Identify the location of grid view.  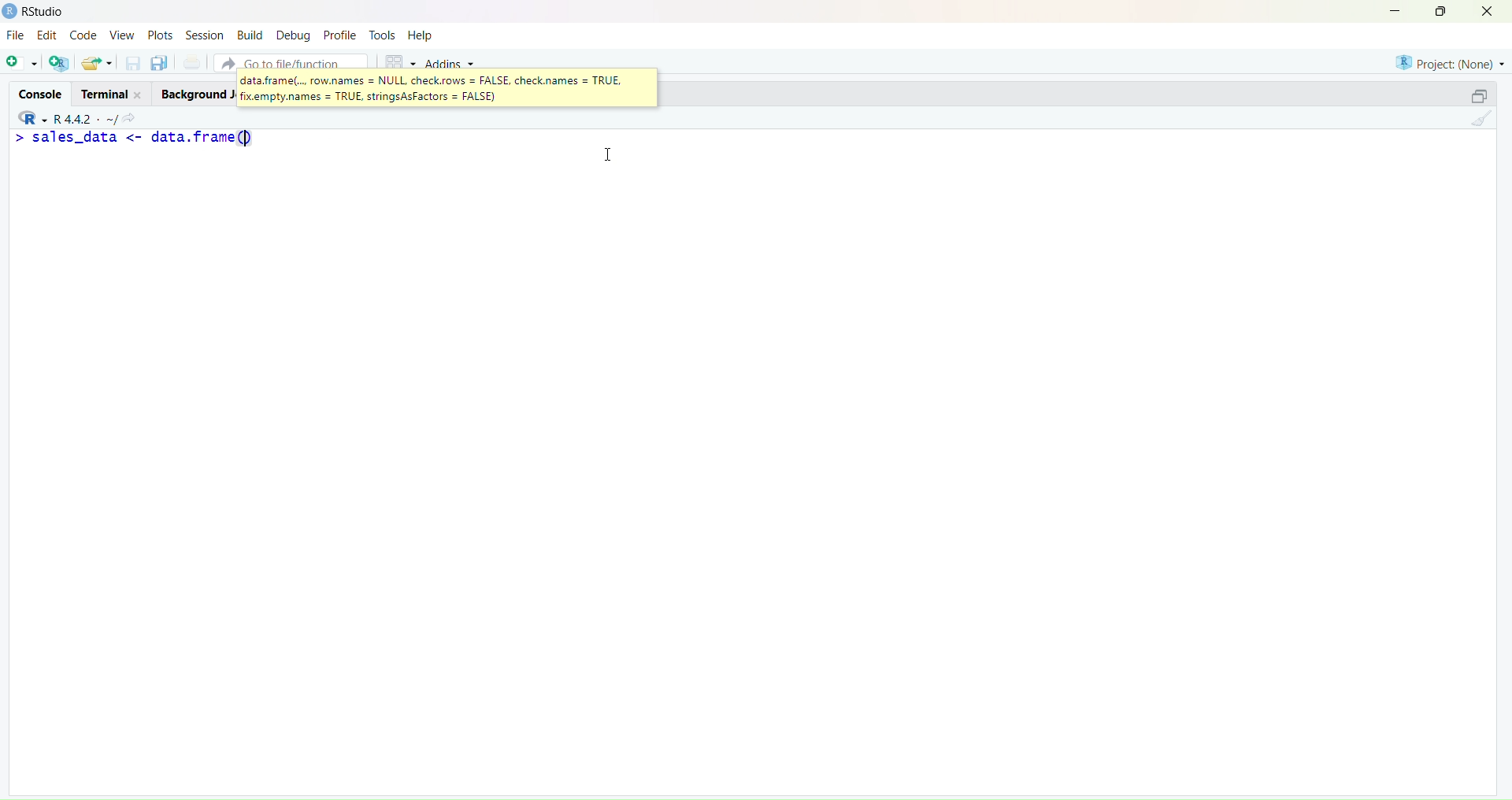
(395, 60).